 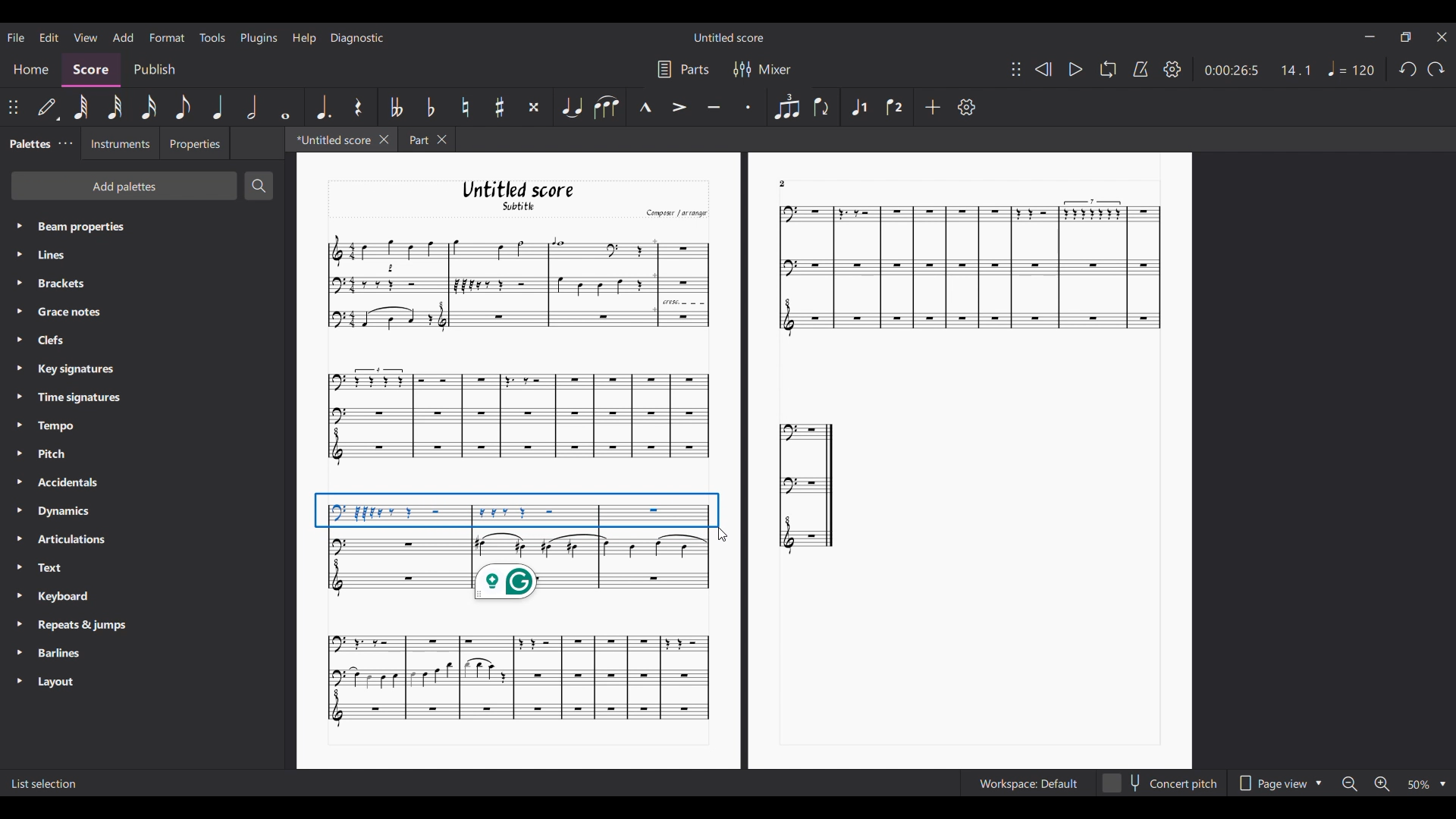 I want to click on Zoom in, so click(x=1383, y=785).